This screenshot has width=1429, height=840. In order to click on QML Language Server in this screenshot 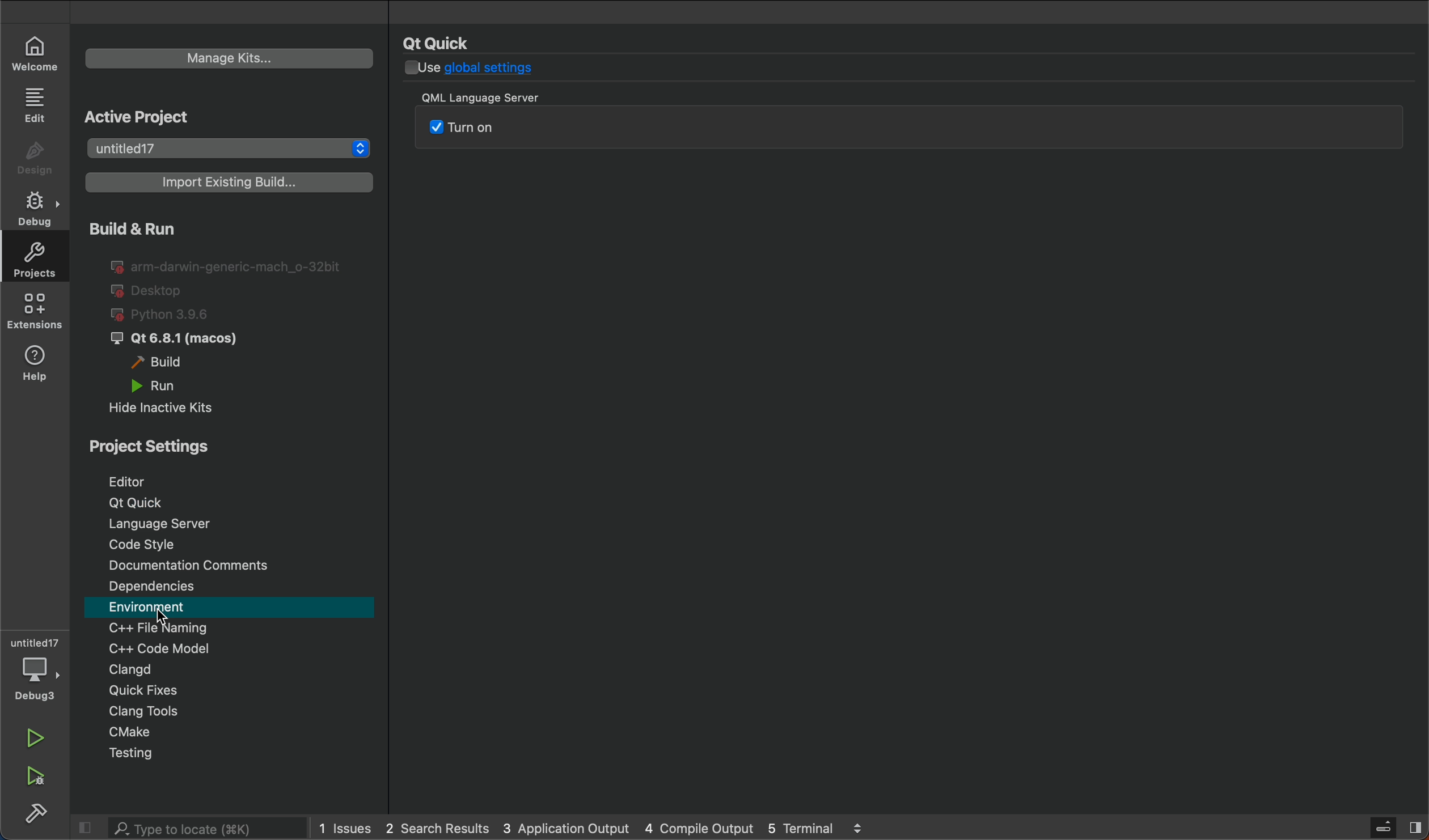, I will do `click(505, 100)`.